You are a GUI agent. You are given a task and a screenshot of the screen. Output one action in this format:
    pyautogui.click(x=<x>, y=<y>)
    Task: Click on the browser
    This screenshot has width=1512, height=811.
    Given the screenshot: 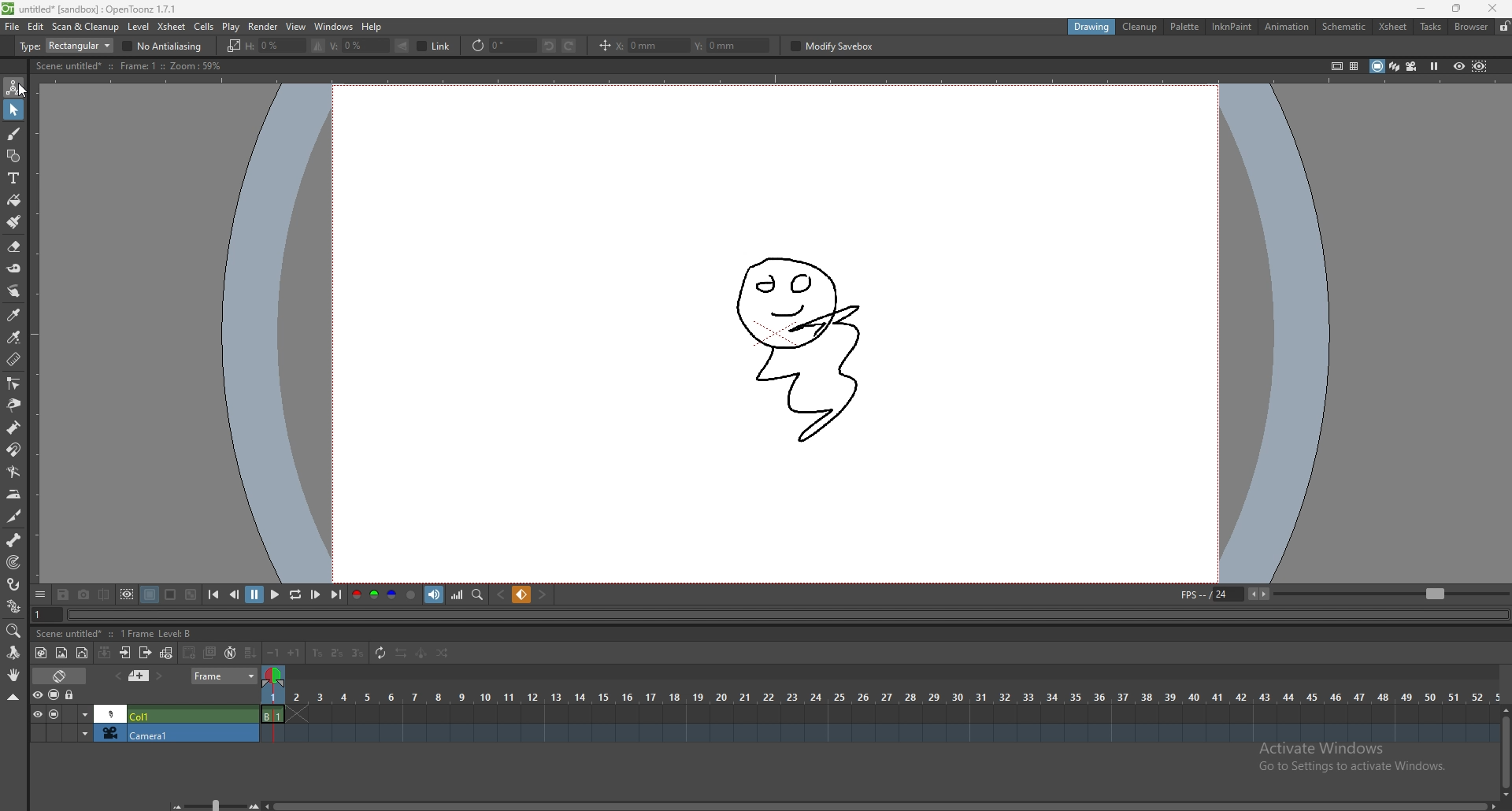 What is the action you would take?
    pyautogui.click(x=1470, y=26)
    